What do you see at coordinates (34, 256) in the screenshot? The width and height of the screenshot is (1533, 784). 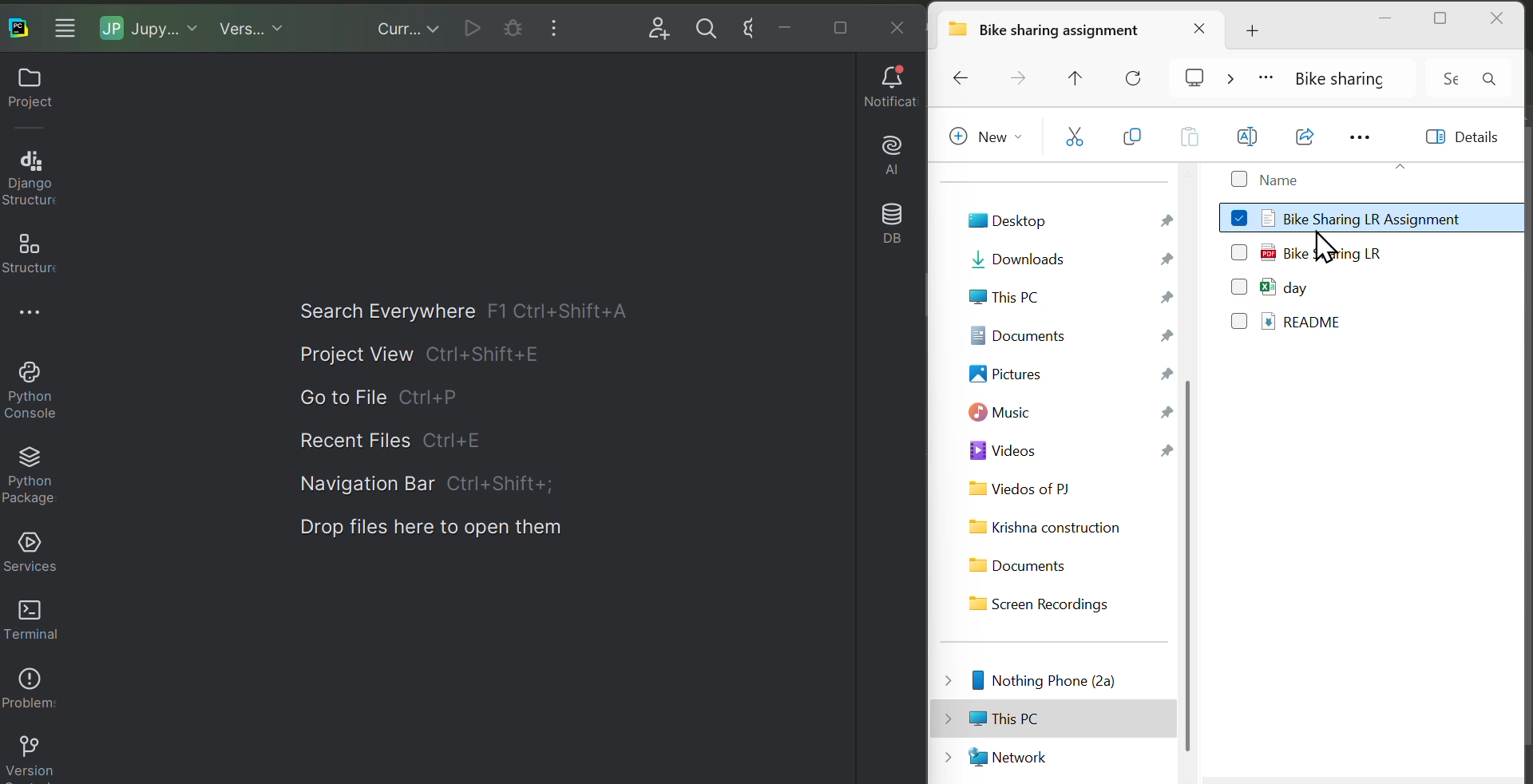 I see `Structure` at bounding box center [34, 256].